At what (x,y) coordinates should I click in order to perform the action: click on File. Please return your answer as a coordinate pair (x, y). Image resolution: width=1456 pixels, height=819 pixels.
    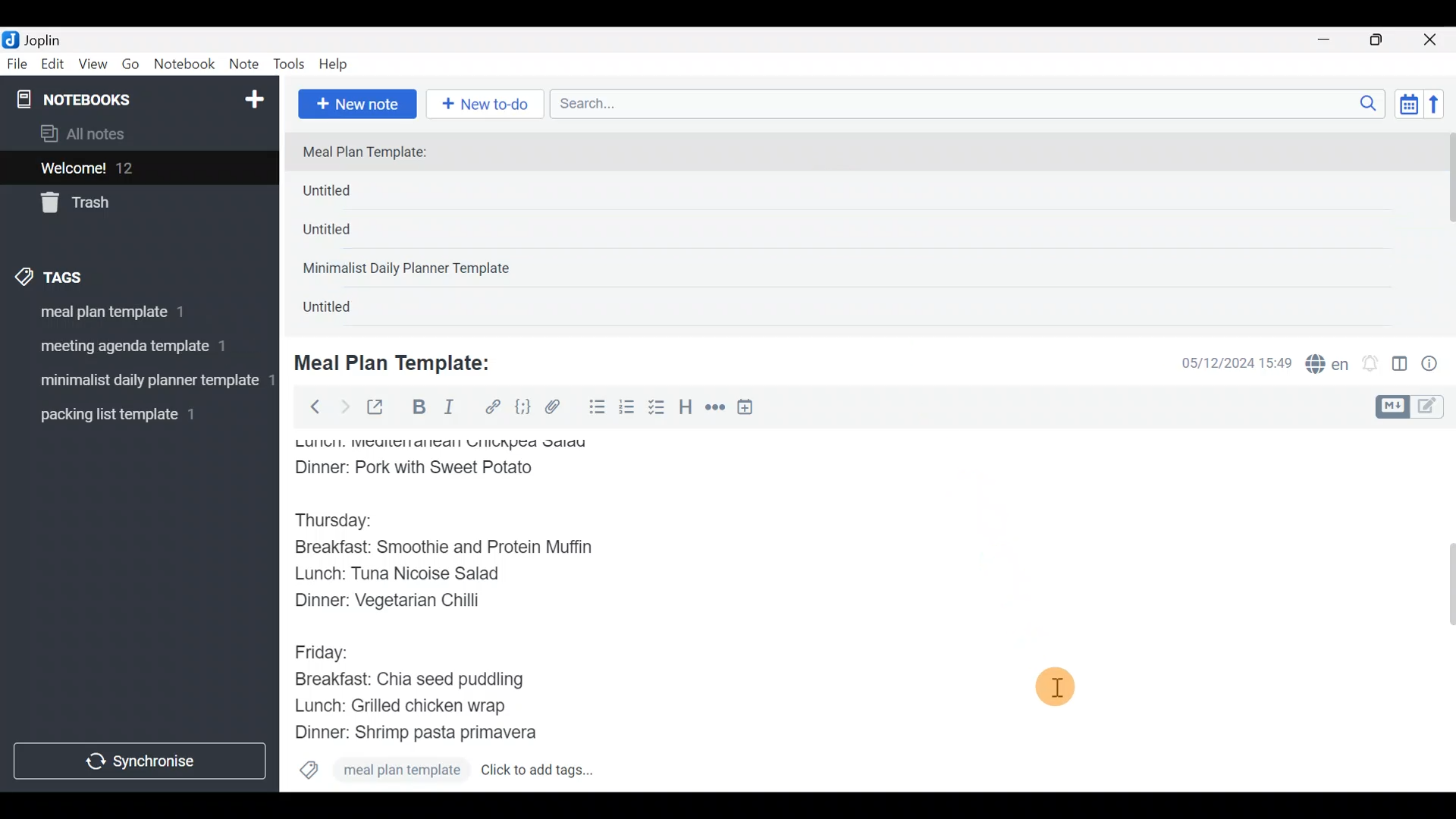
    Looking at the image, I should click on (18, 64).